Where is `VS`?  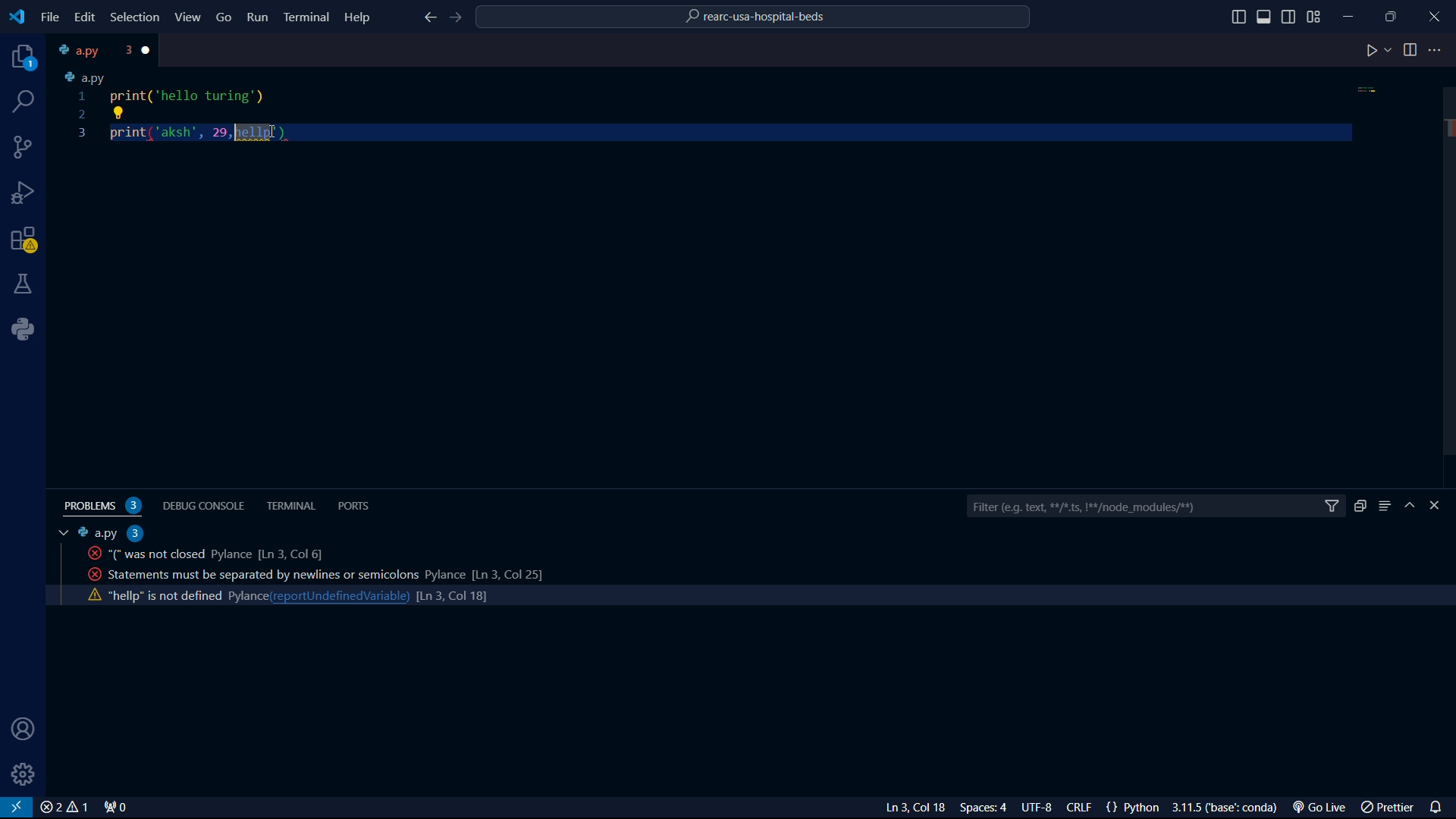 VS is located at coordinates (17, 808).